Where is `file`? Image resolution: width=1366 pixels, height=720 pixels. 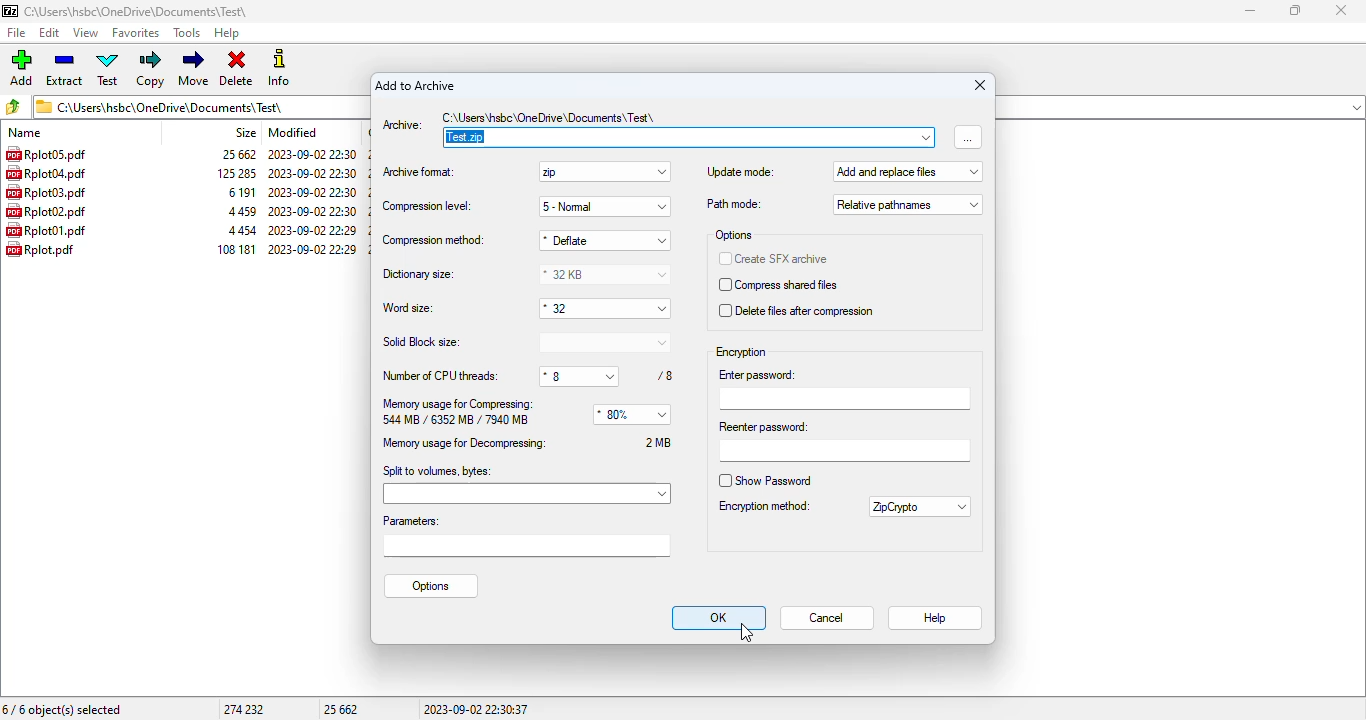 file is located at coordinates (15, 33).